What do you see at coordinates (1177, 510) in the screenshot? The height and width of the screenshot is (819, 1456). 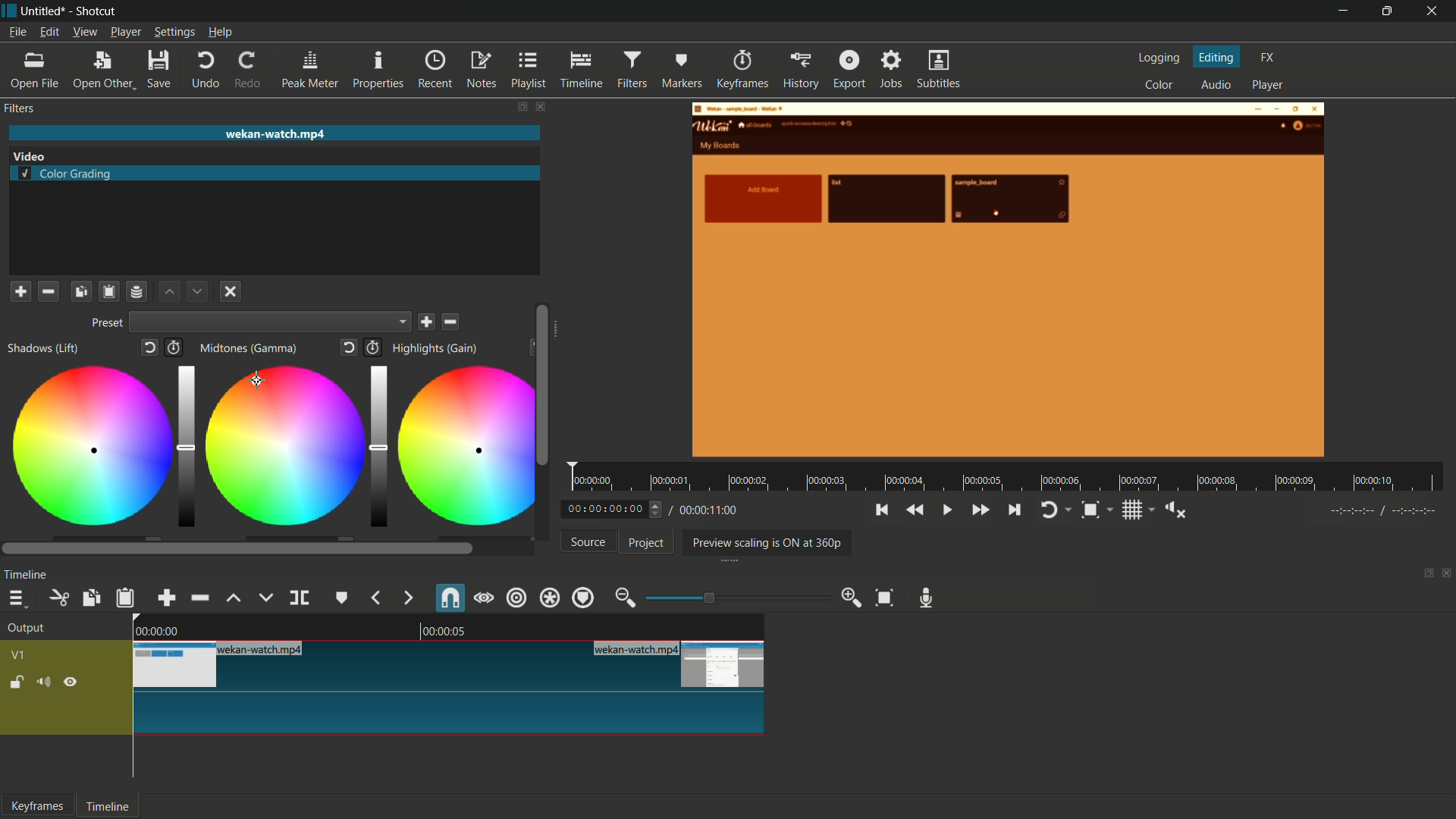 I see `show volume control` at bounding box center [1177, 510].